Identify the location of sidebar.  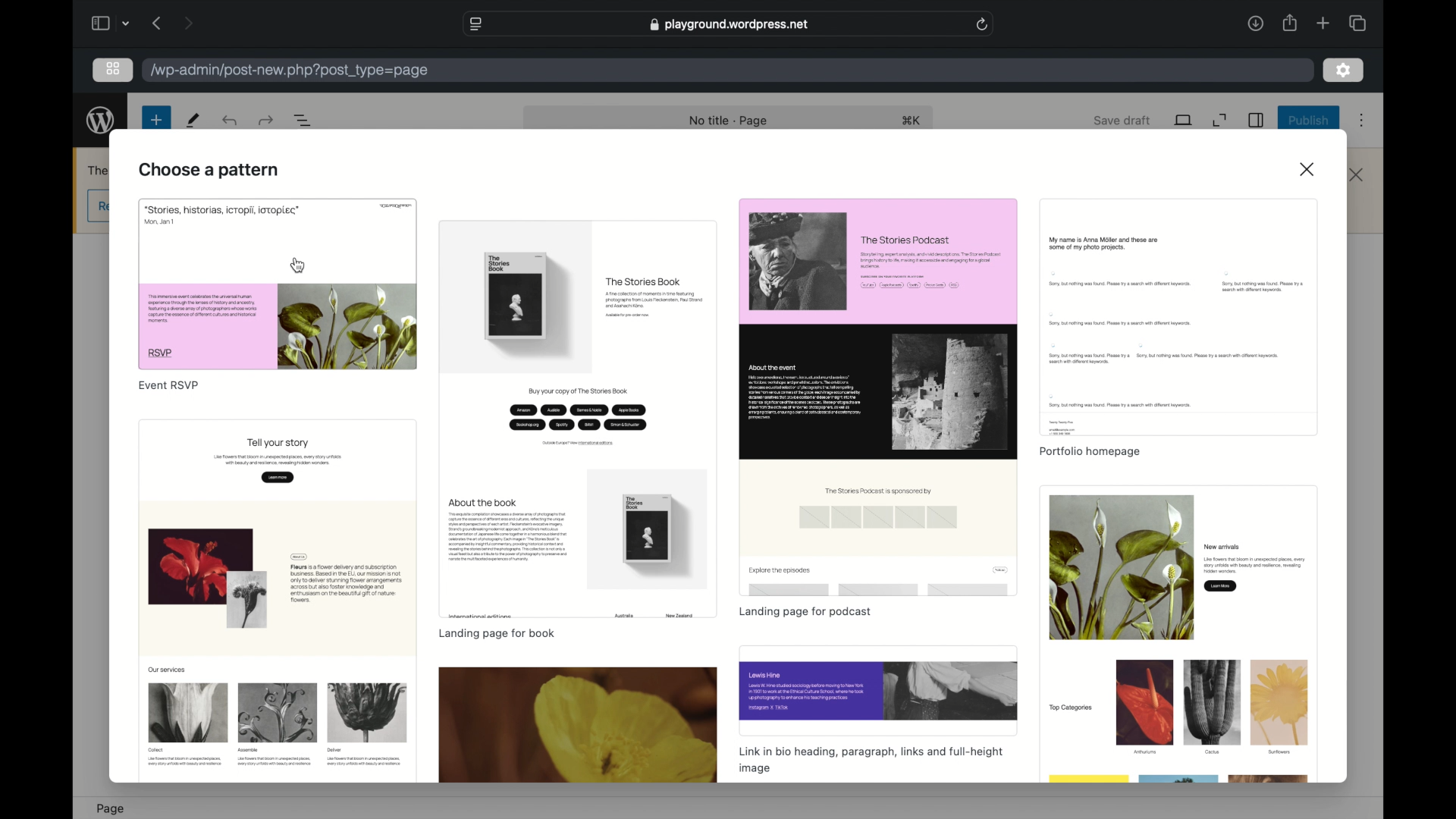
(101, 24).